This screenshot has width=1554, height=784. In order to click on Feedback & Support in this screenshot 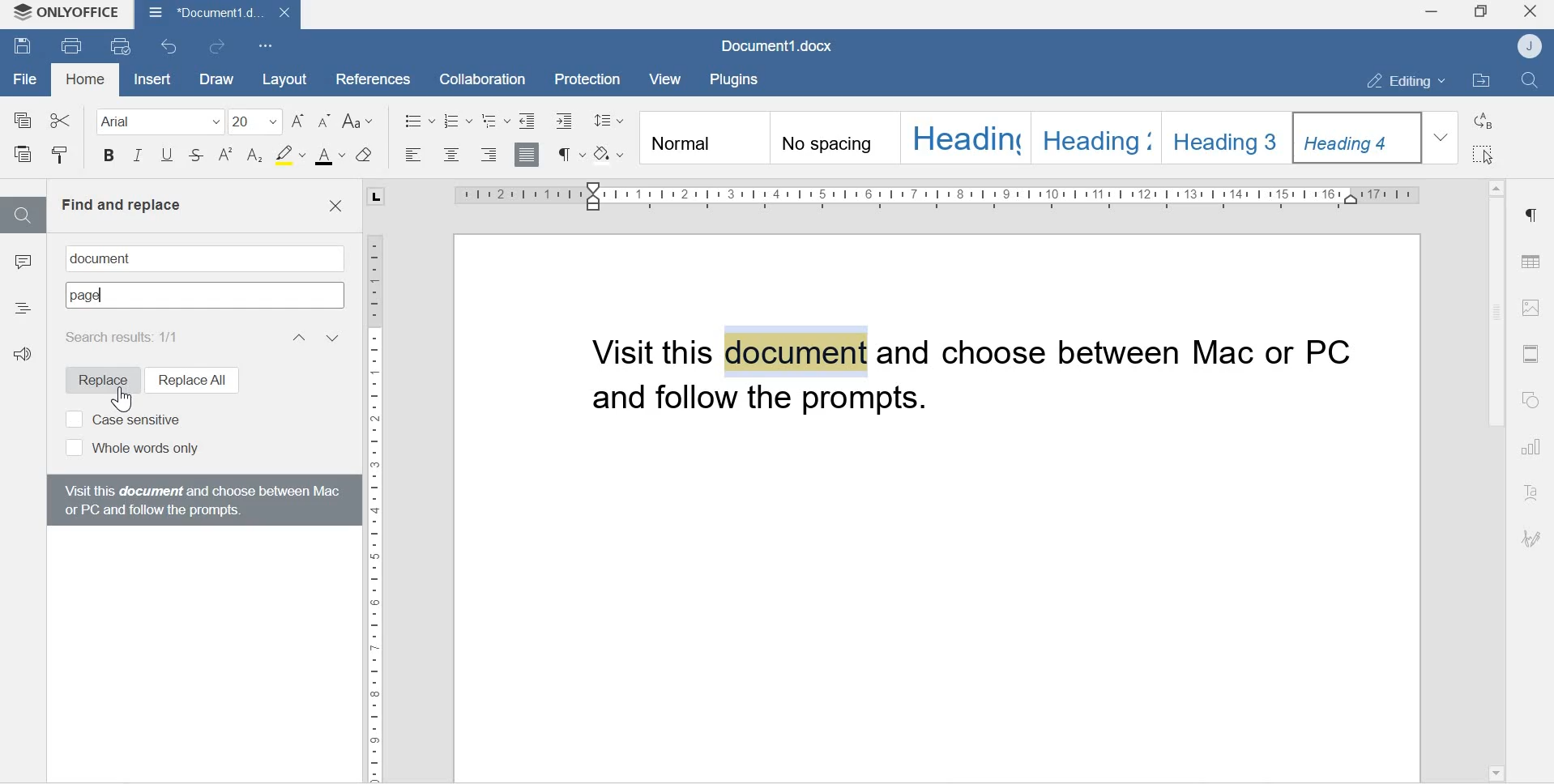, I will do `click(27, 360)`.